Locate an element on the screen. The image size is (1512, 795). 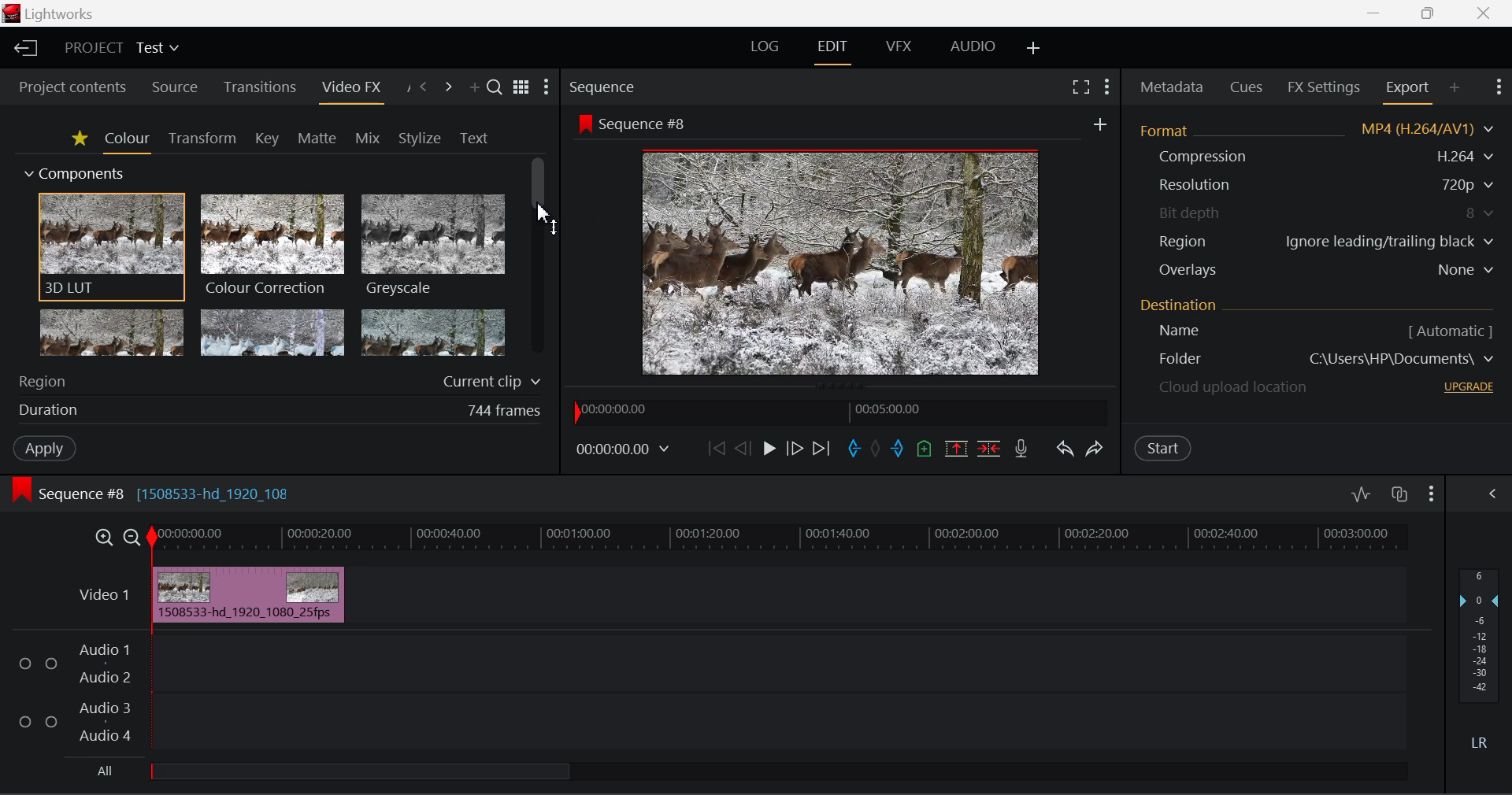
Scroll Bar is located at coordinates (539, 259).